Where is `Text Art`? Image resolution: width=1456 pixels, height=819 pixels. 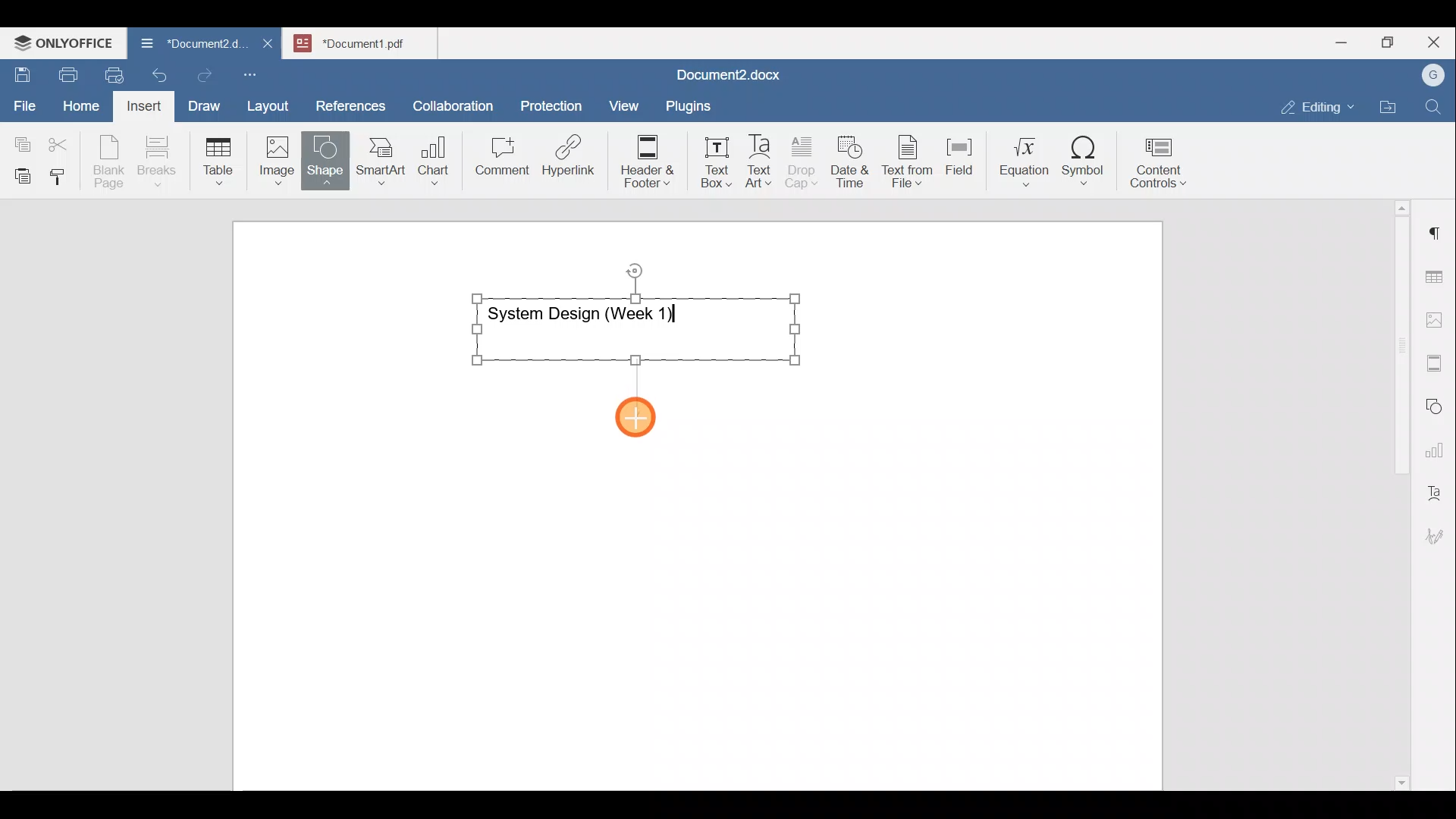
Text Art is located at coordinates (760, 162).